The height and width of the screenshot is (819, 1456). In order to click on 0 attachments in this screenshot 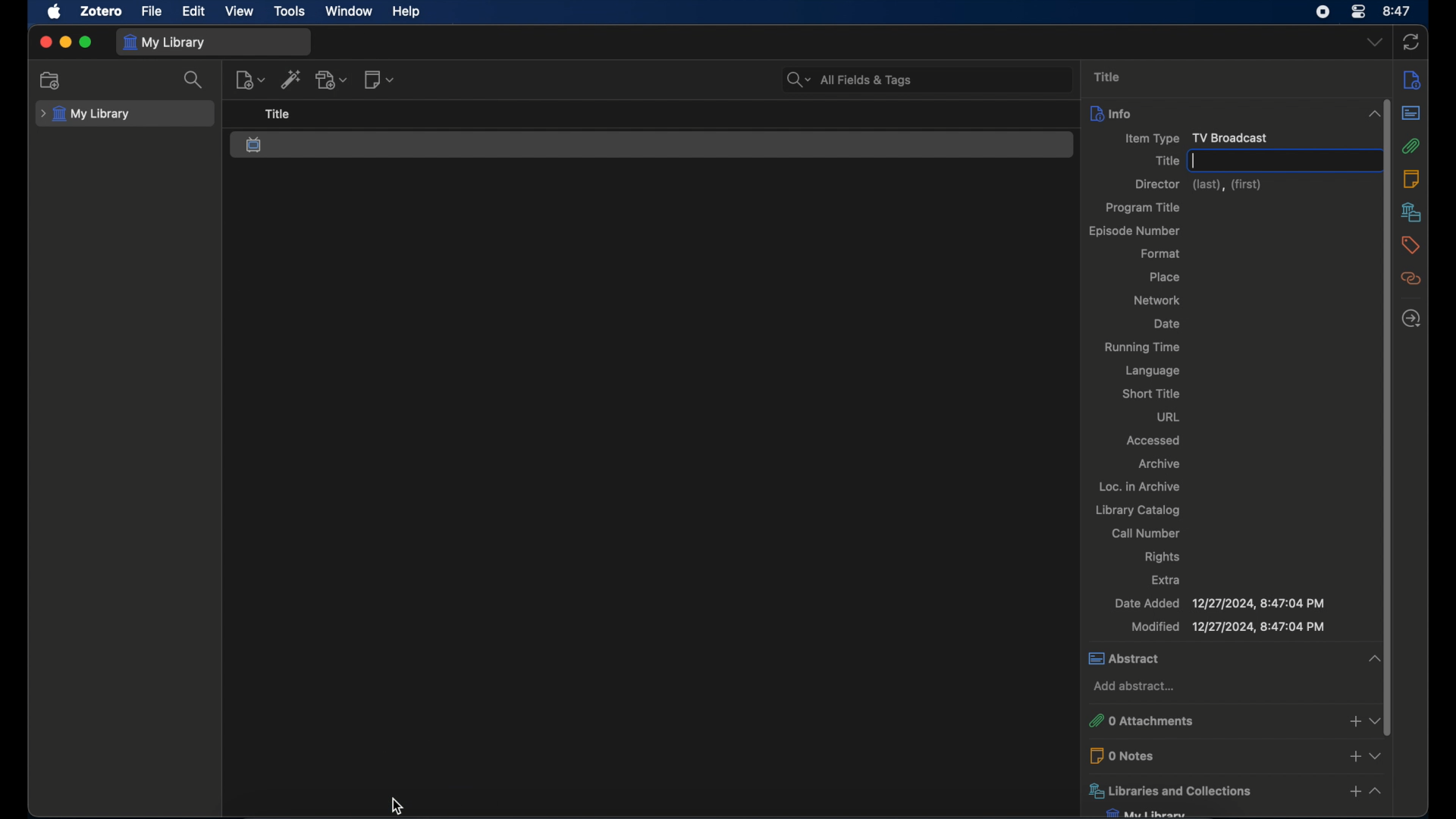, I will do `click(1207, 721)`.